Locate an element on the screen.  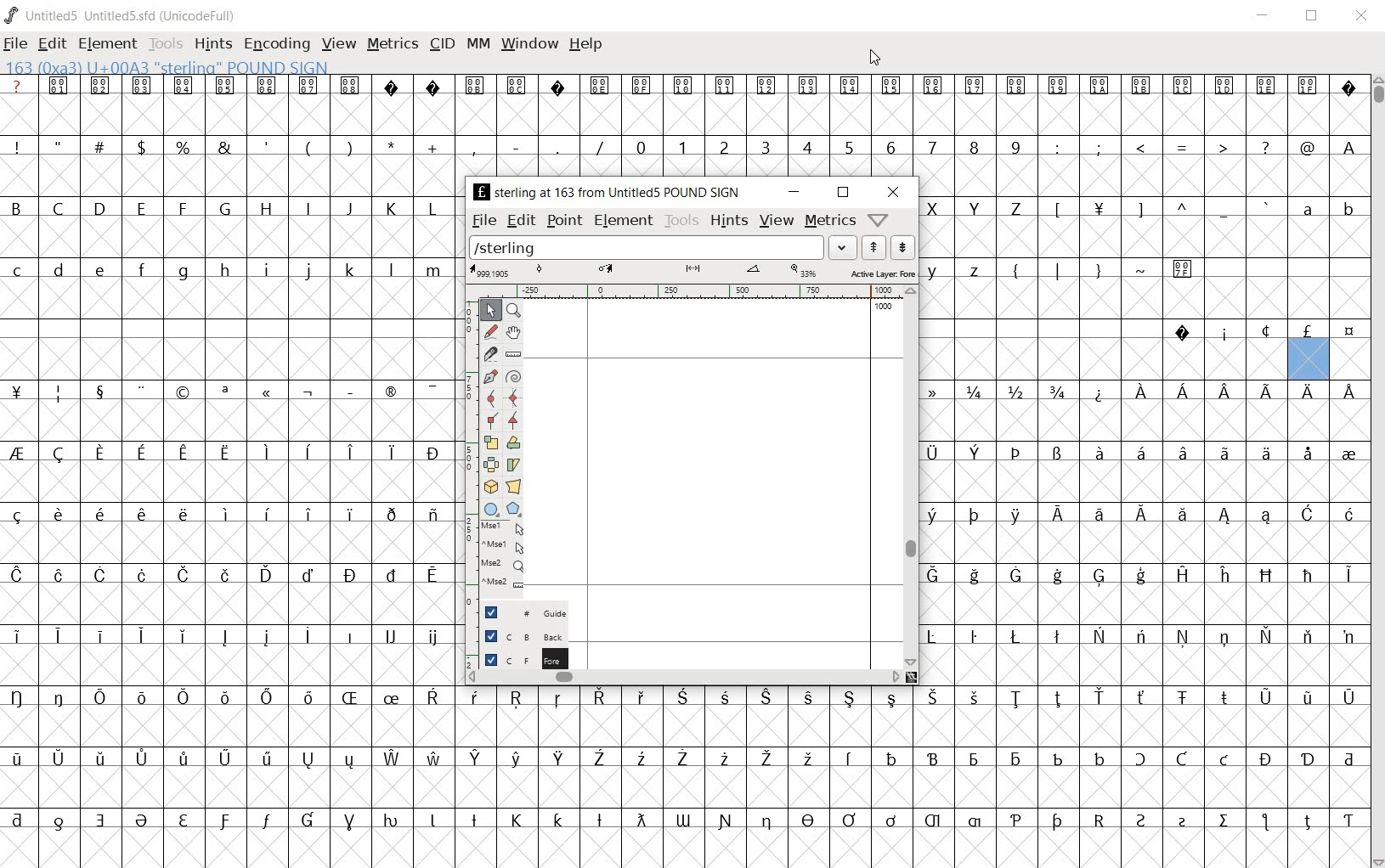
Symbol is located at coordinates (1309, 759).